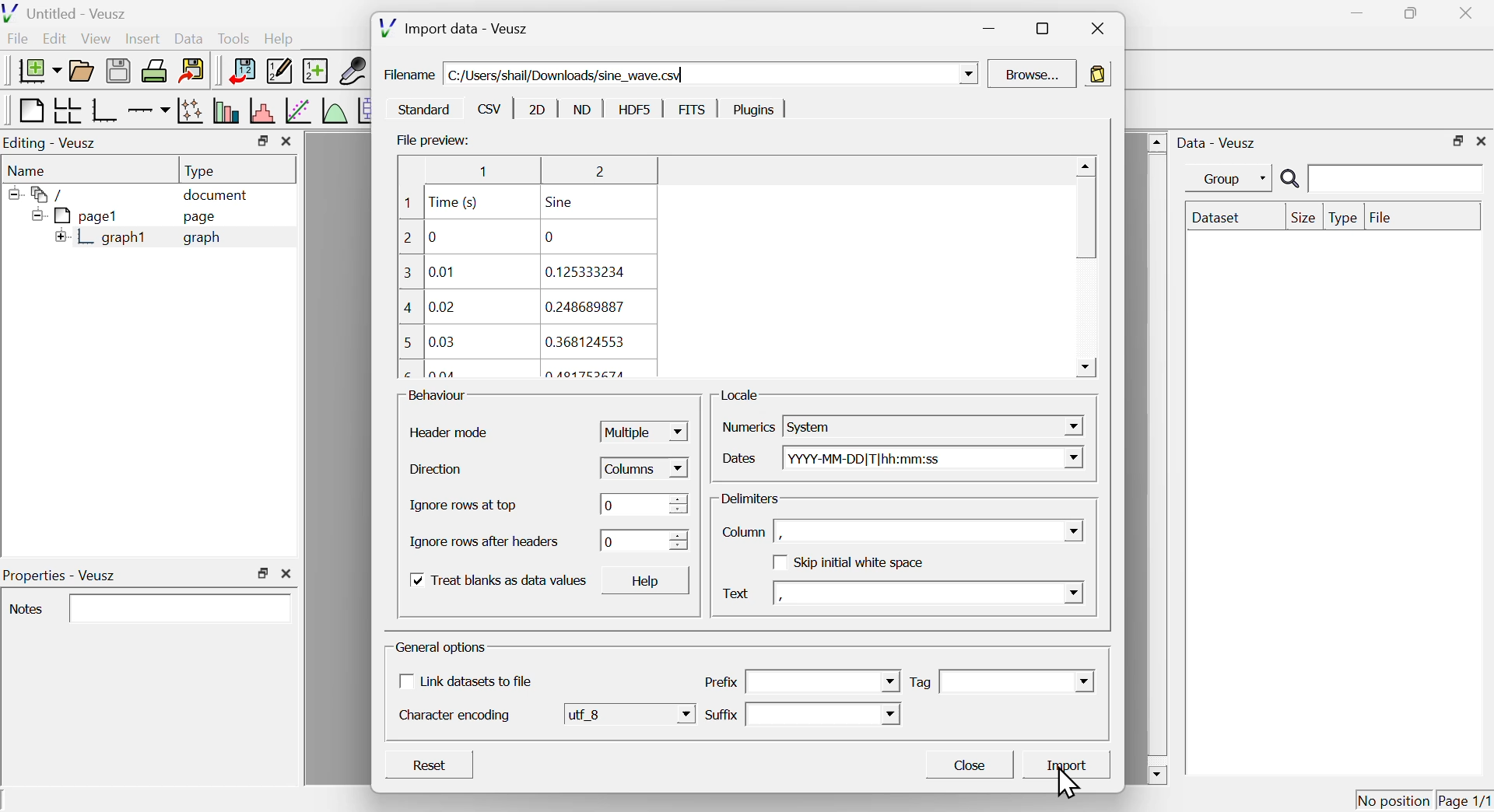  What do you see at coordinates (1040, 27) in the screenshot?
I see `maximize` at bounding box center [1040, 27].